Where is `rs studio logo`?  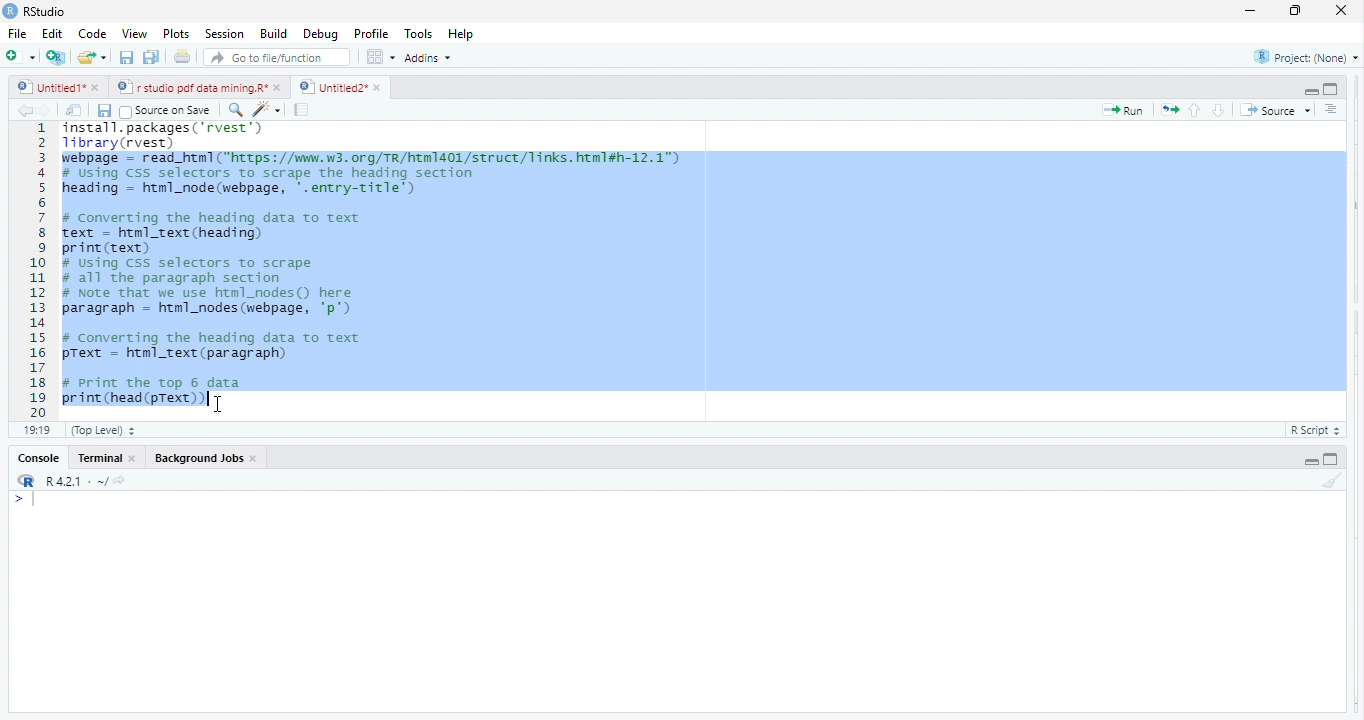 rs studio logo is located at coordinates (10, 10).